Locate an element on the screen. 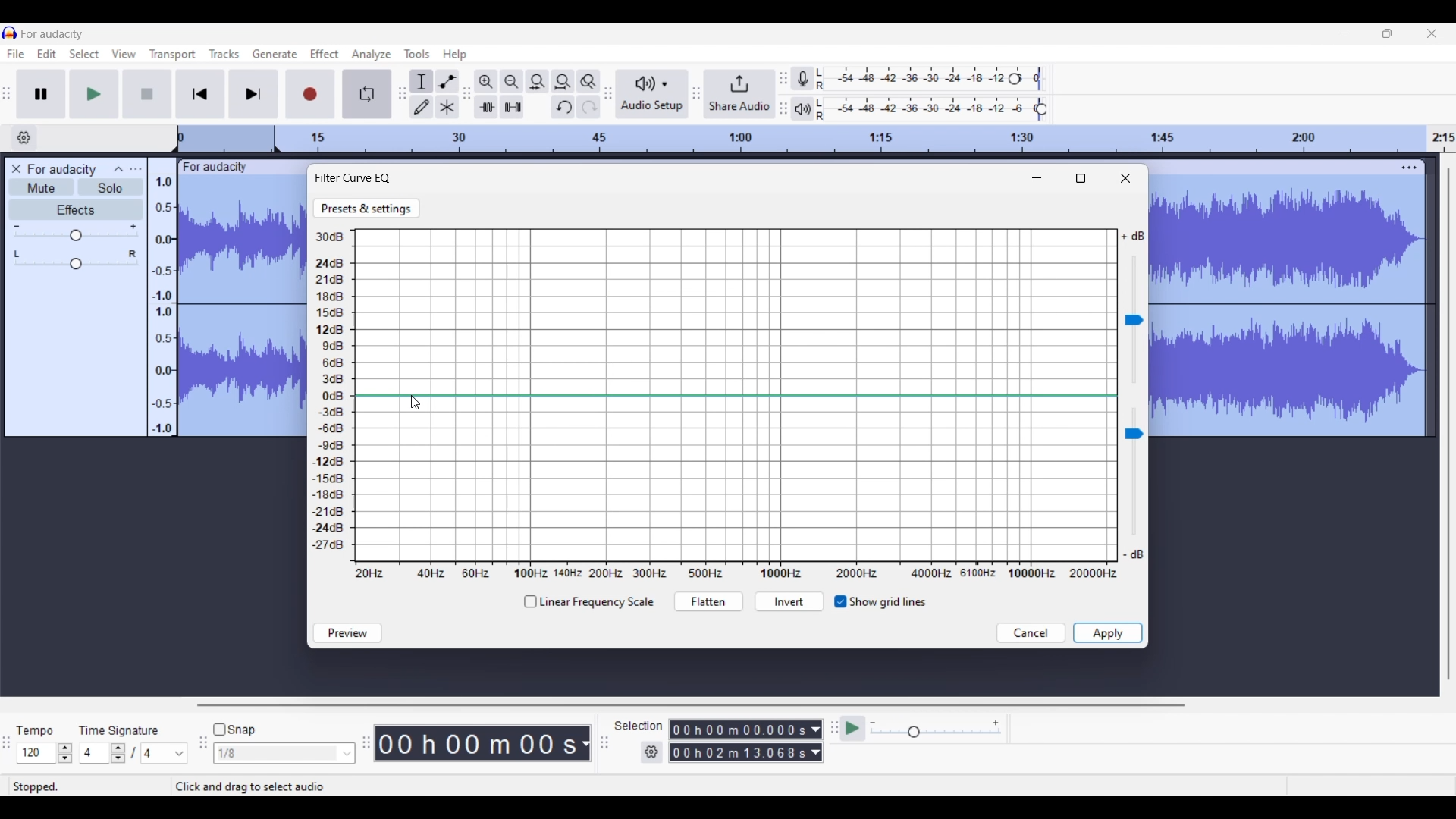  Playback level is located at coordinates (929, 109).